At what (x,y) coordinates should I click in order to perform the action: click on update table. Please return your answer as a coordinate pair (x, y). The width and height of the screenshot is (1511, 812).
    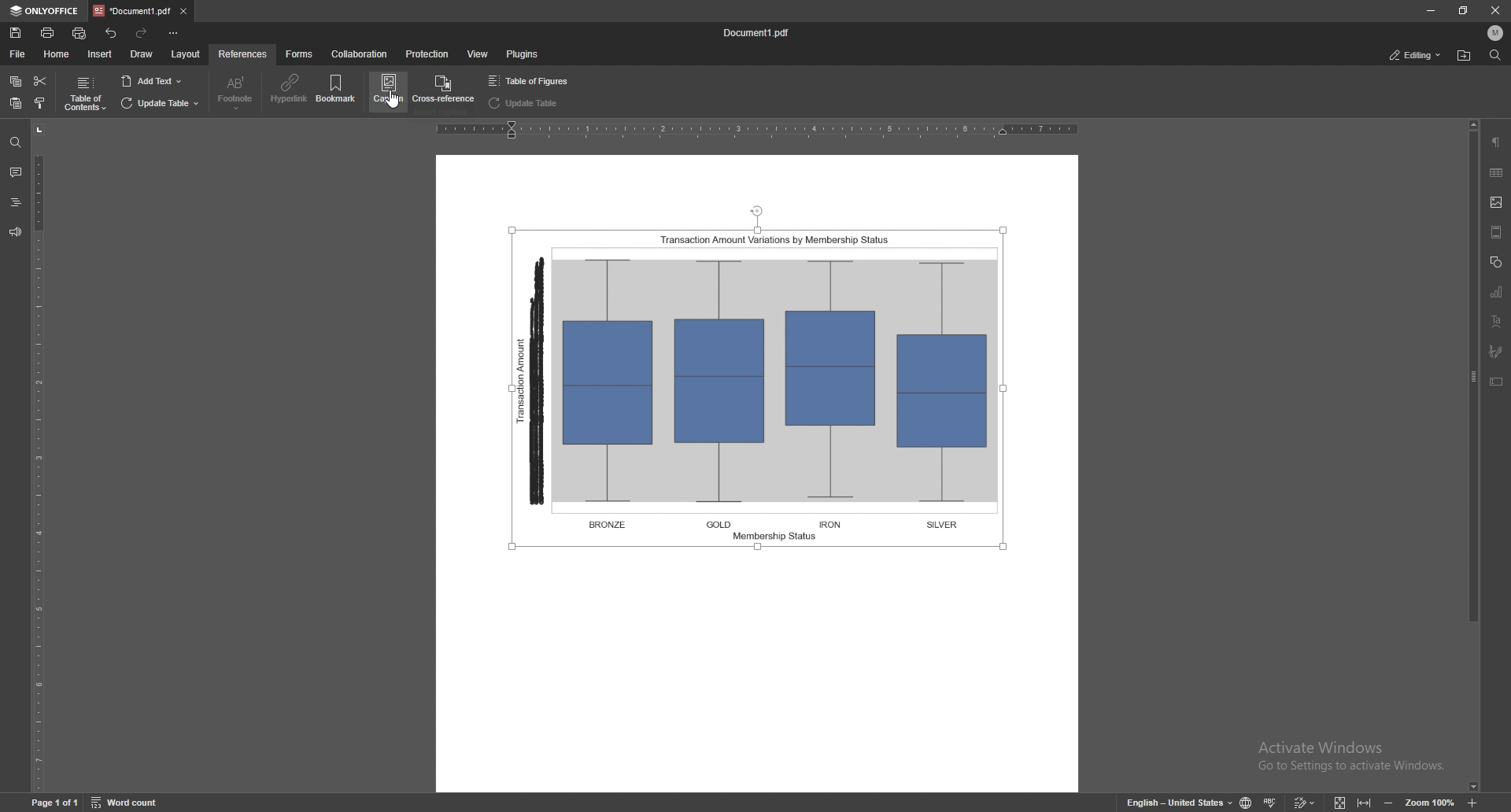
    Looking at the image, I should click on (160, 104).